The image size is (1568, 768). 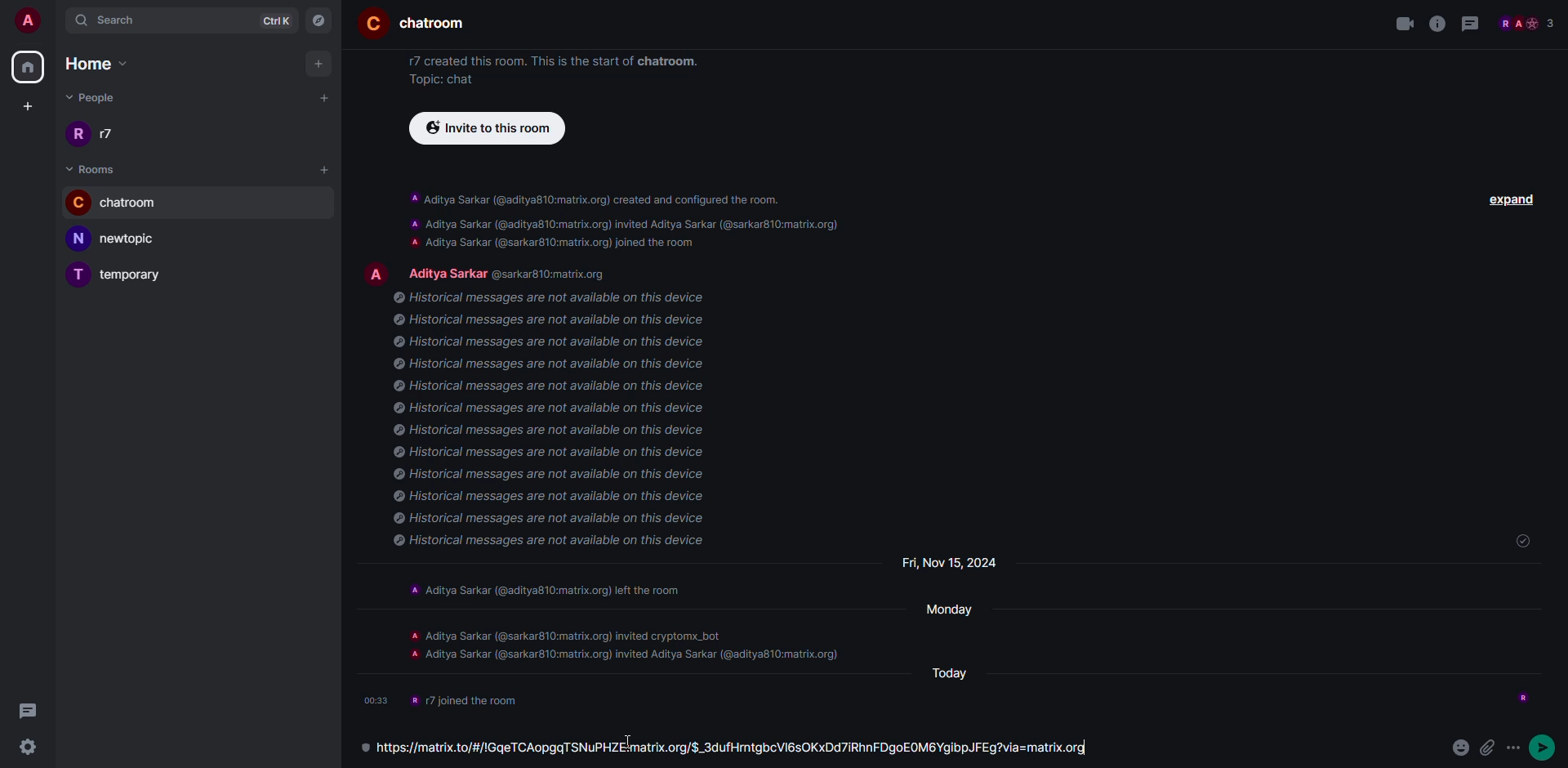 I want to click on threads, so click(x=27, y=710).